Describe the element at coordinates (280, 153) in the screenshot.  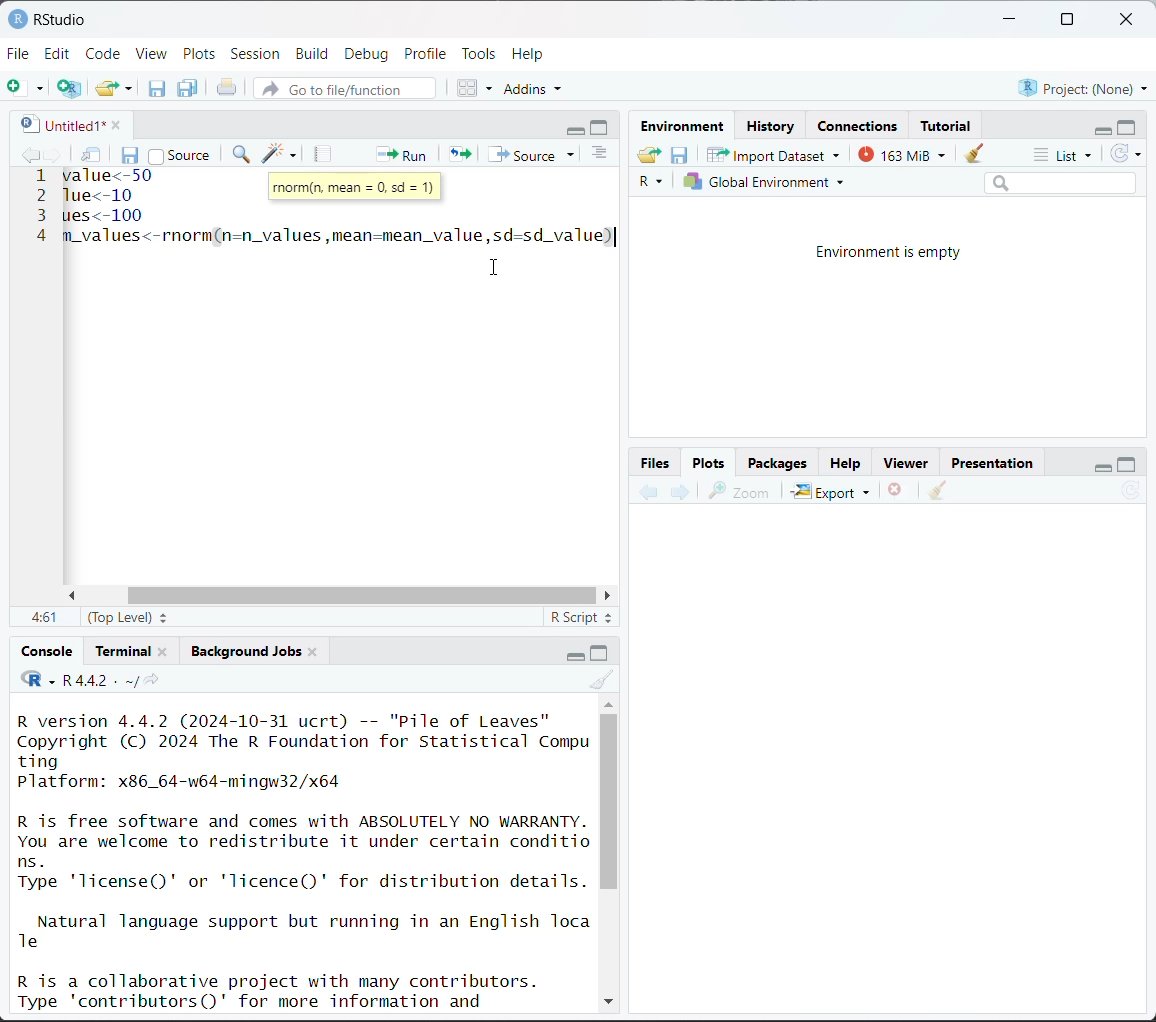
I see `code tools` at that location.